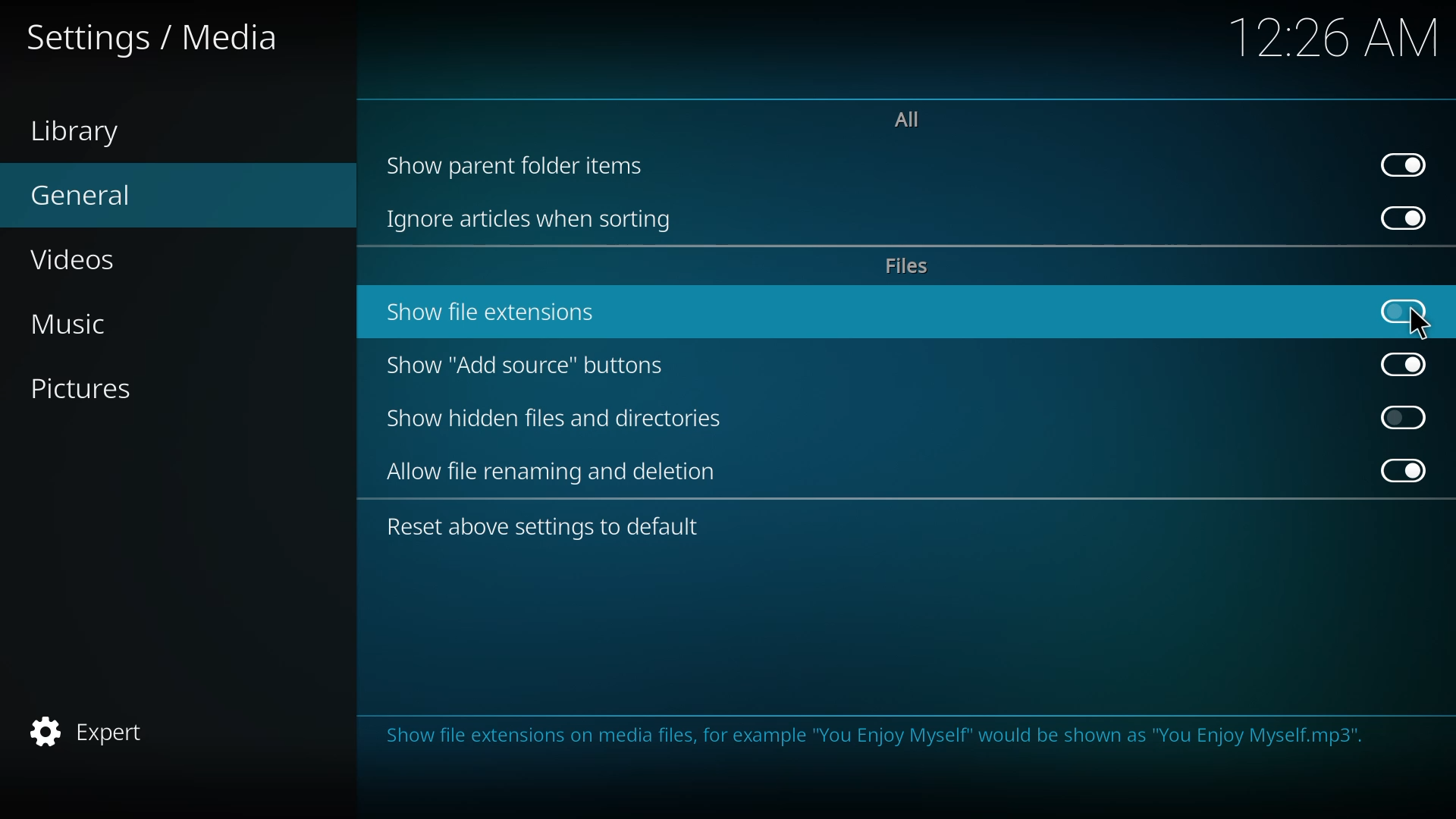 This screenshot has width=1456, height=819. Describe the element at coordinates (1402, 309) in the screenshot. I see `click to enable` at that location.